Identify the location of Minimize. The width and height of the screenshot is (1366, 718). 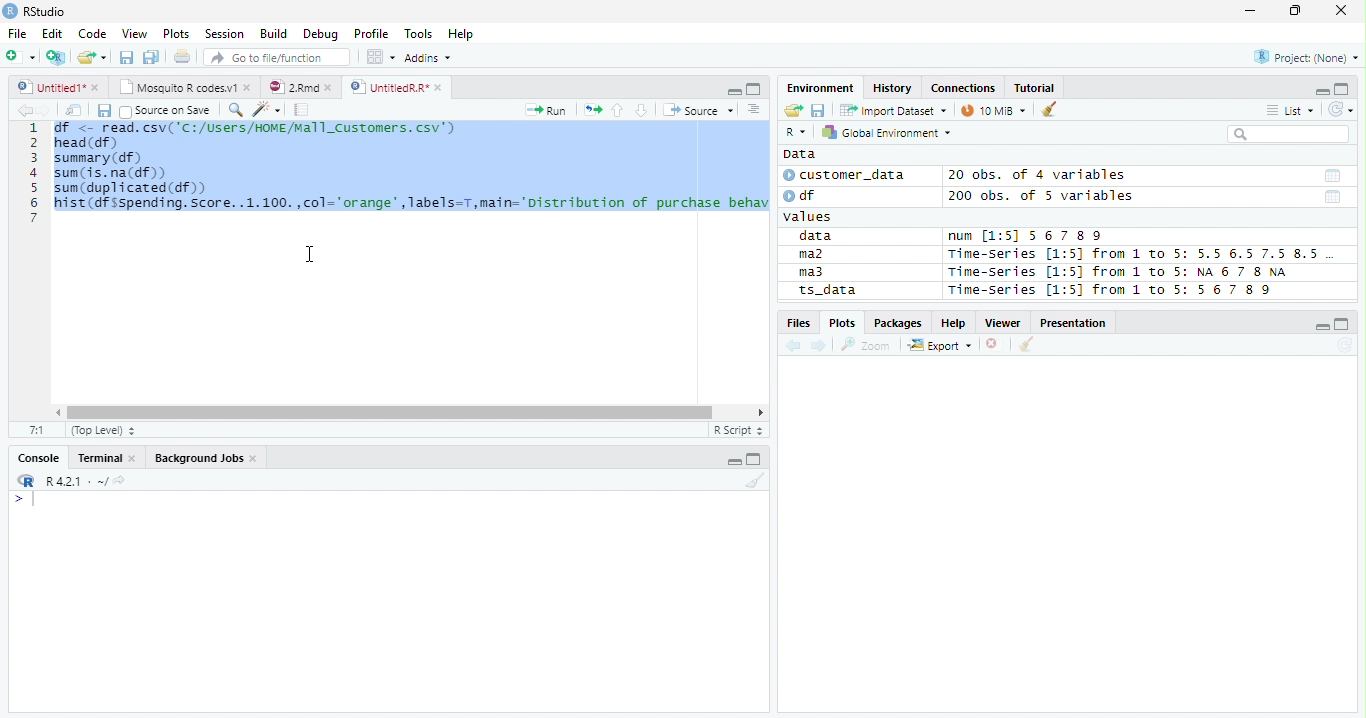
(1323, 328).